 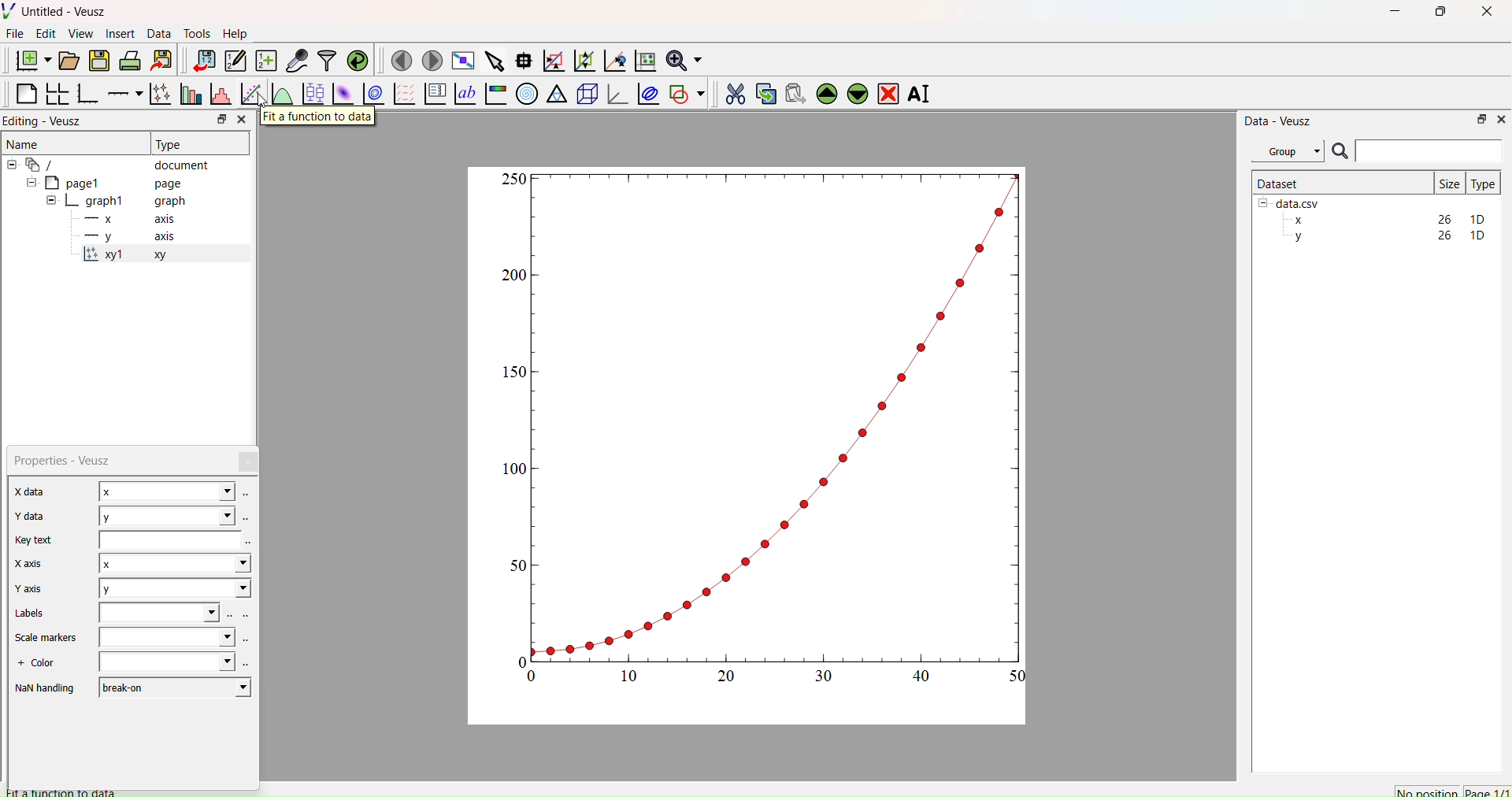 What do you see at coordinates (233, 33) in the screenshot?
I see `Help` at bounding box center [233, 33].